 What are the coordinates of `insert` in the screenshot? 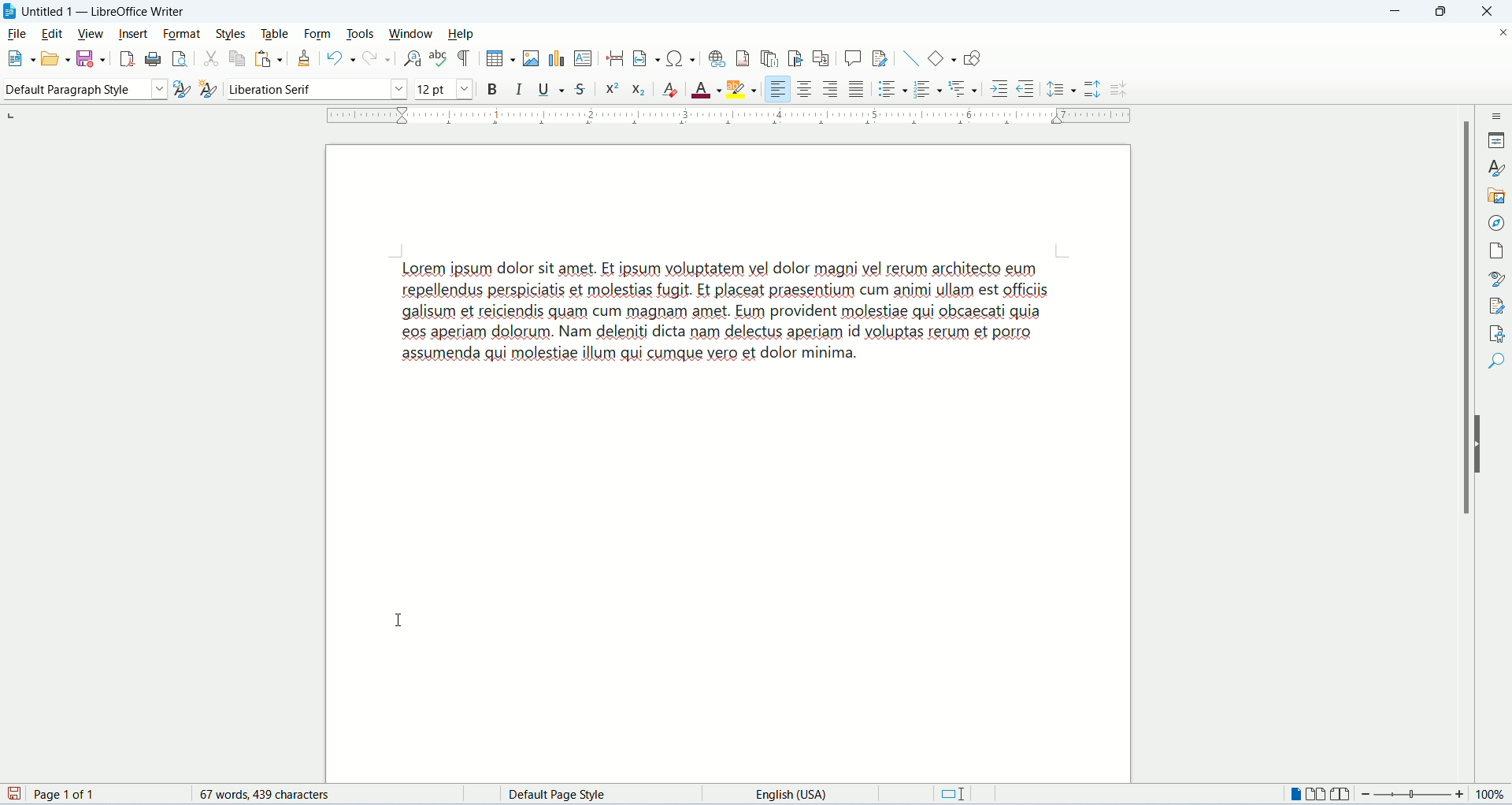 It's located at (134, 34).